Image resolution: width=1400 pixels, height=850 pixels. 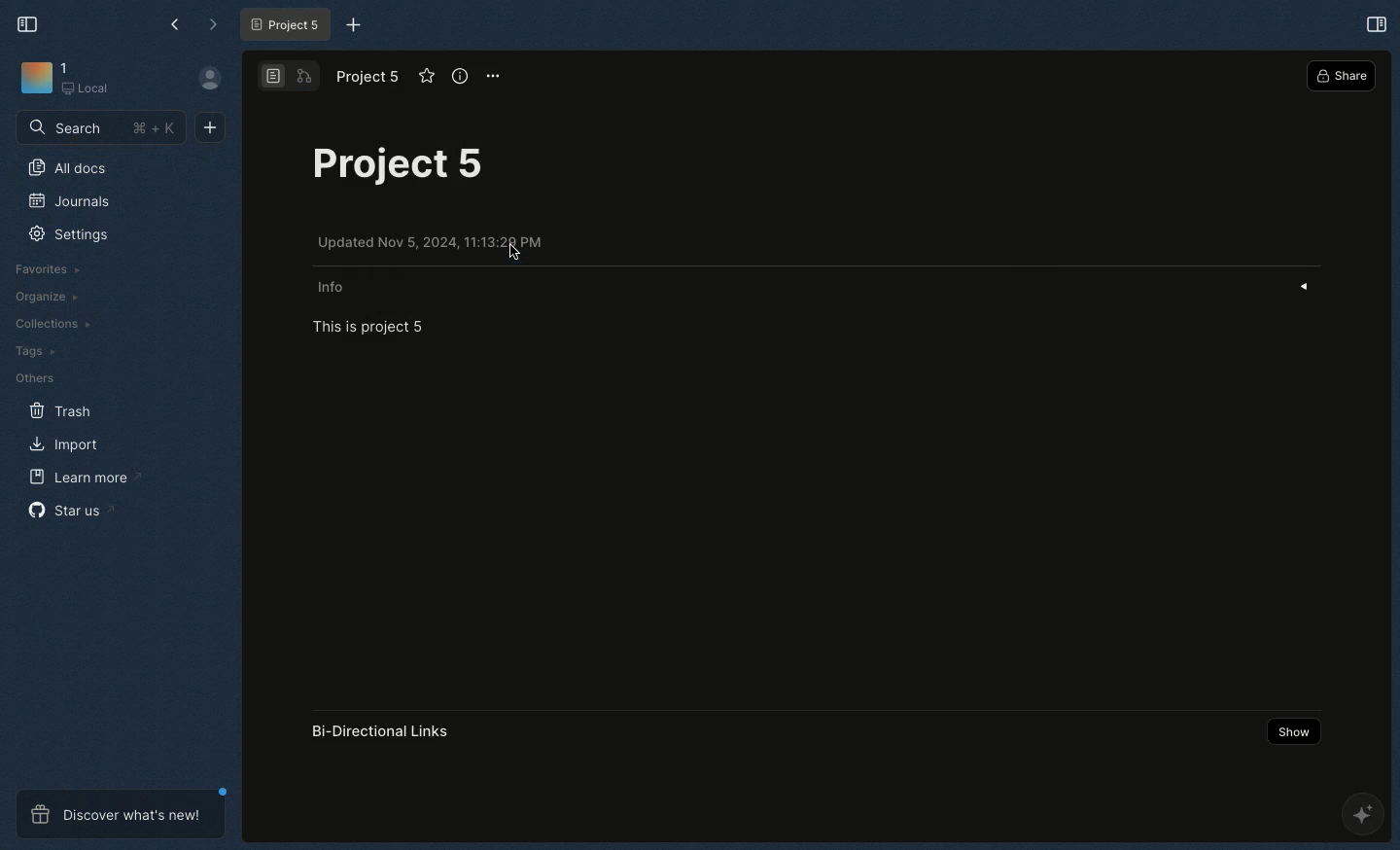 What do you see at coordinates (51, 324) in the screenshot?
I see `Collections` at bounding box center [51, 324].